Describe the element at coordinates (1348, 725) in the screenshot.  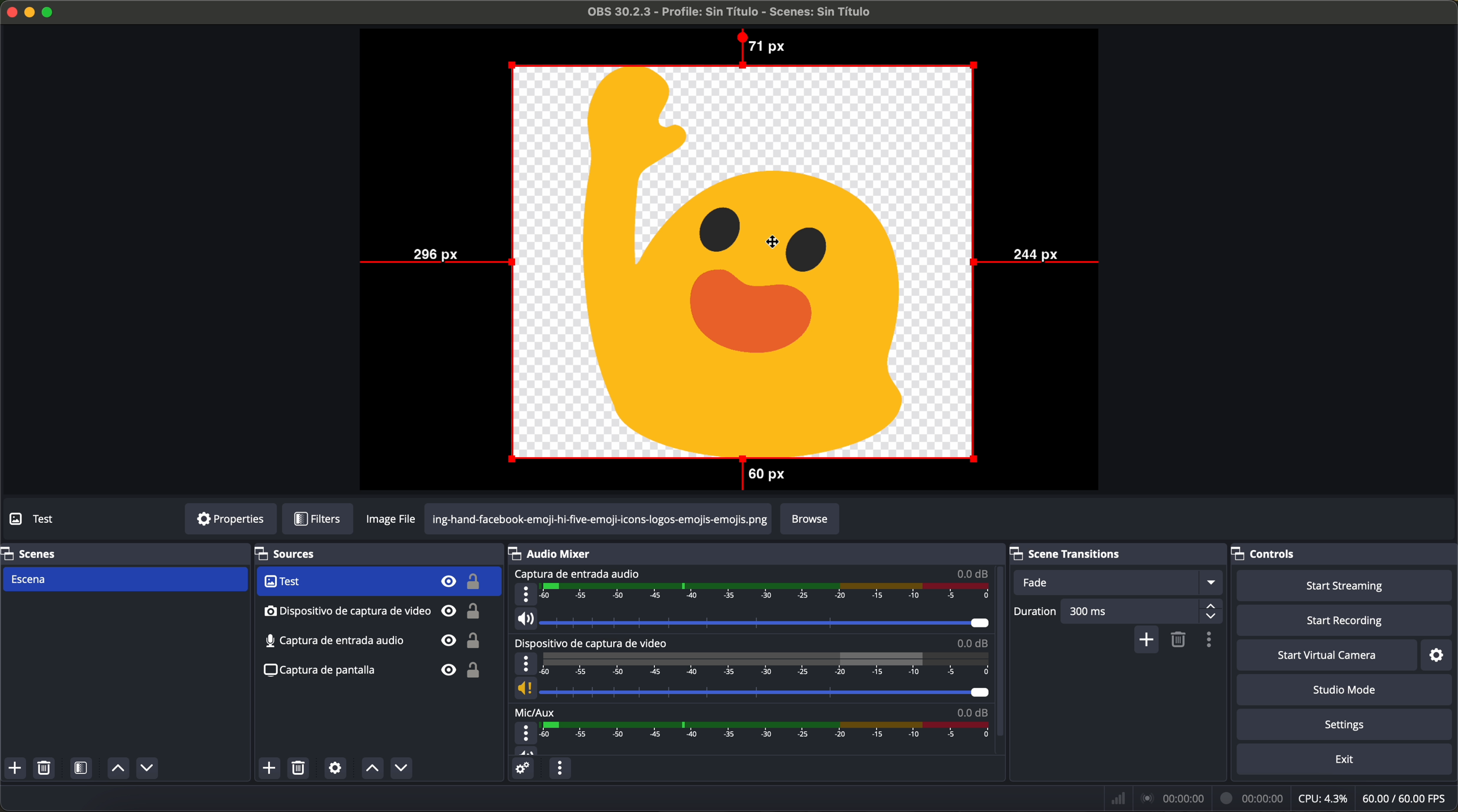
I see `settings` at that location.